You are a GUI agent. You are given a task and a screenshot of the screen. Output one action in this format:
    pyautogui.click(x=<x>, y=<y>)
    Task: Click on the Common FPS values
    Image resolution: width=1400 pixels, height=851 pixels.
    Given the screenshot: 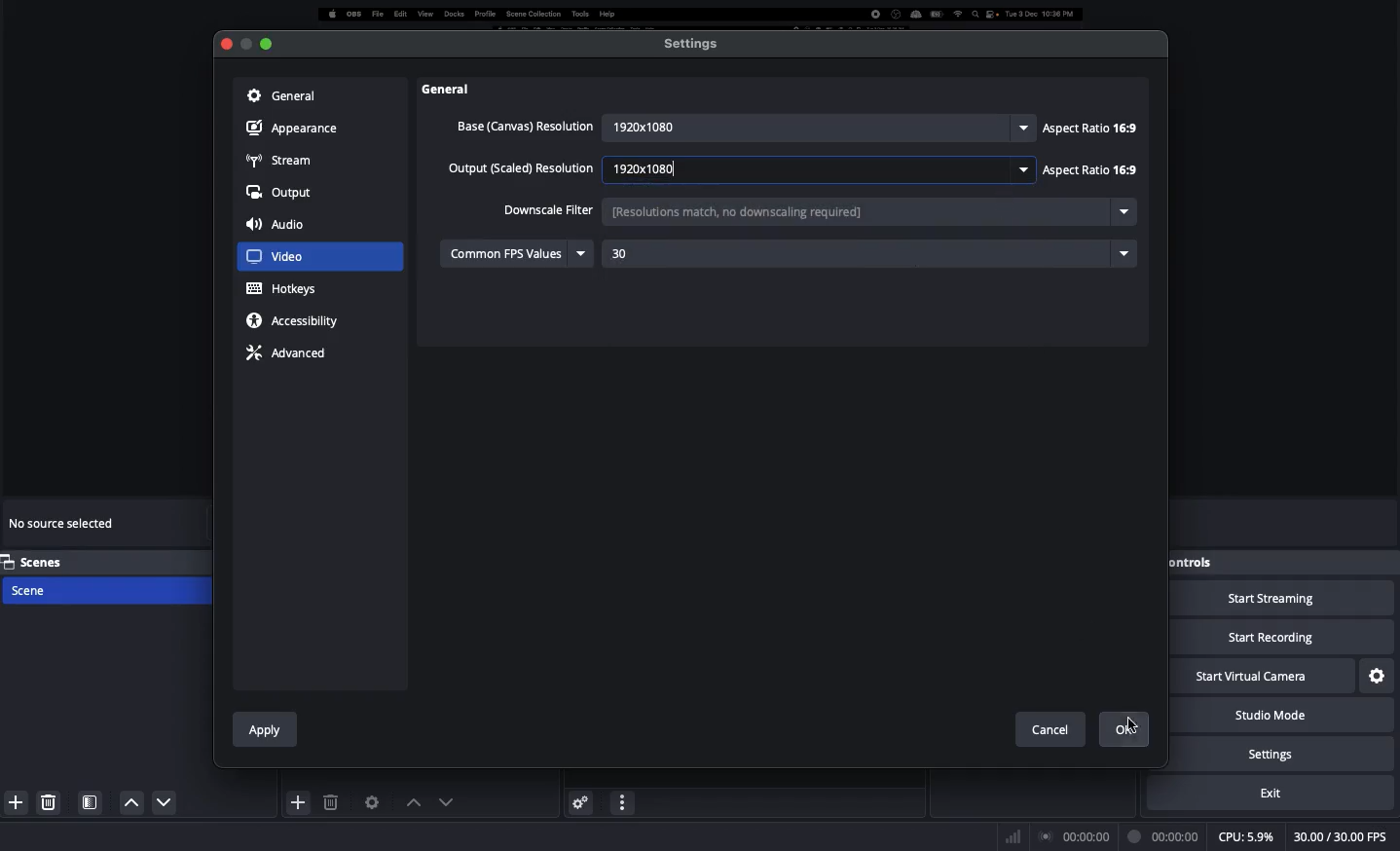 What is the action you would take?
    pyautogui.click(x=519, y=252)
    